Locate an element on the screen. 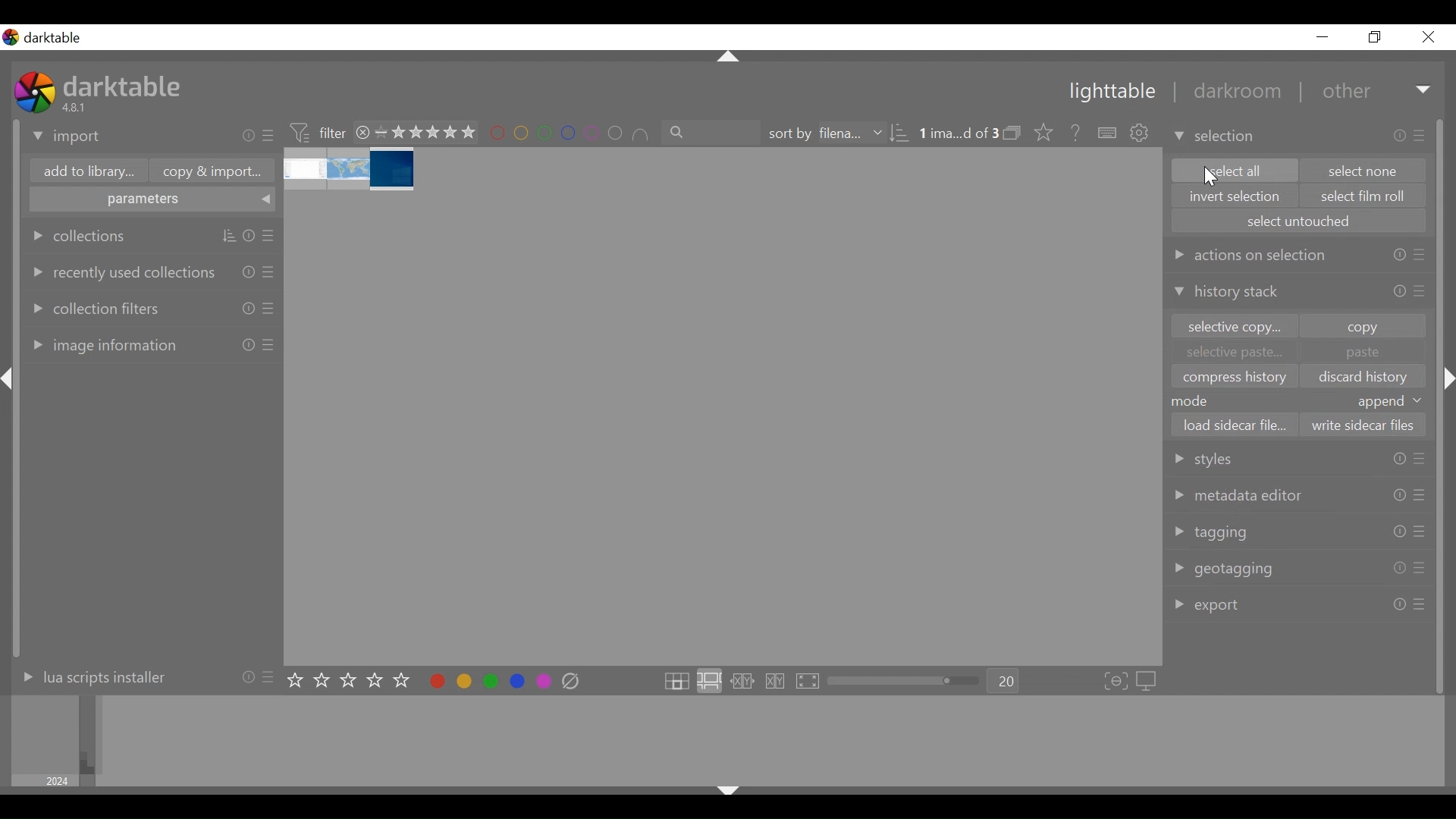 This screenshot has width=1456, height=819. 20 is located at coordinates (1004, 682).